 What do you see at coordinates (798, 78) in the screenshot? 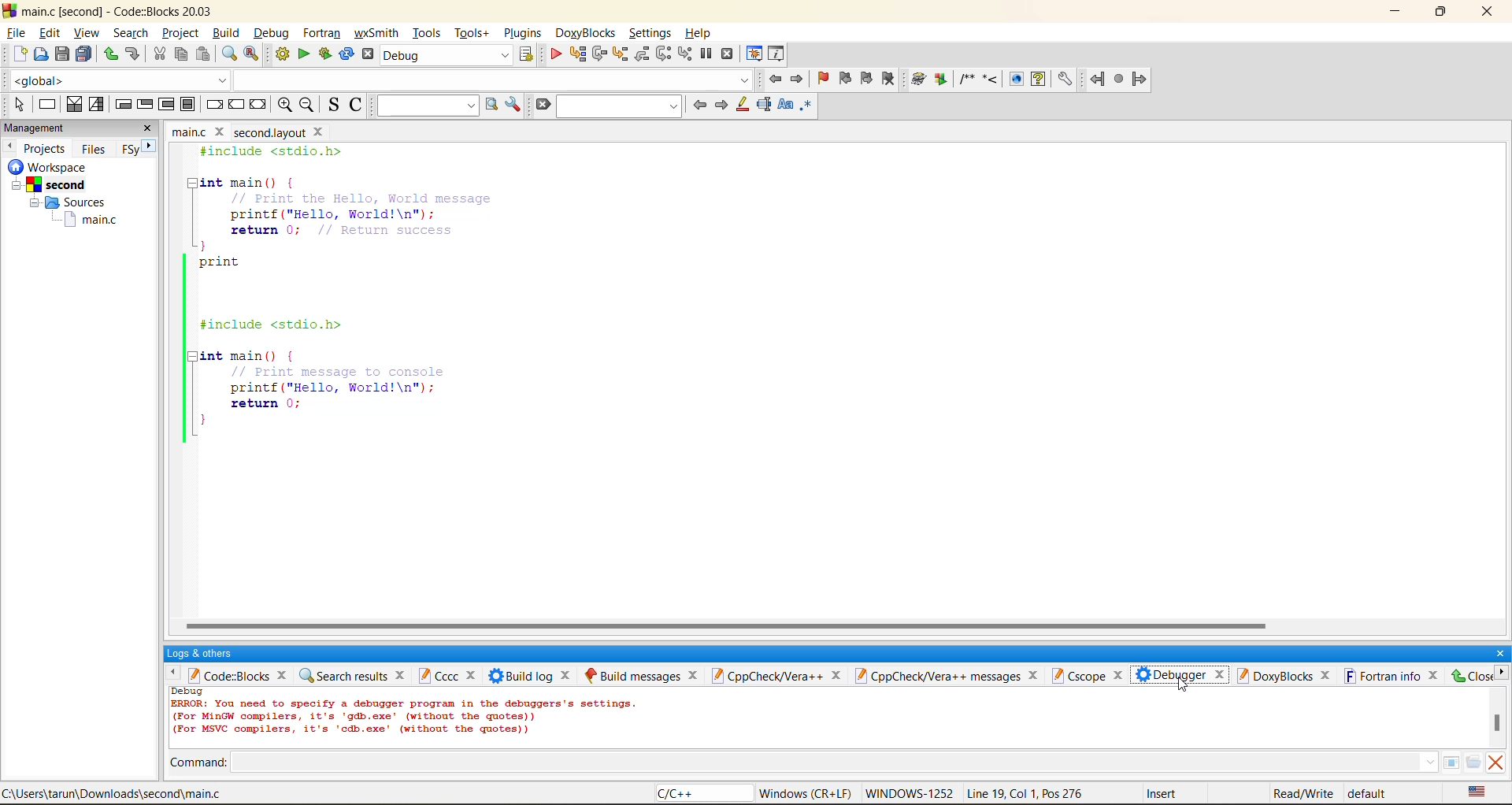
I see `jump forward` at bounding box center [798, 78].